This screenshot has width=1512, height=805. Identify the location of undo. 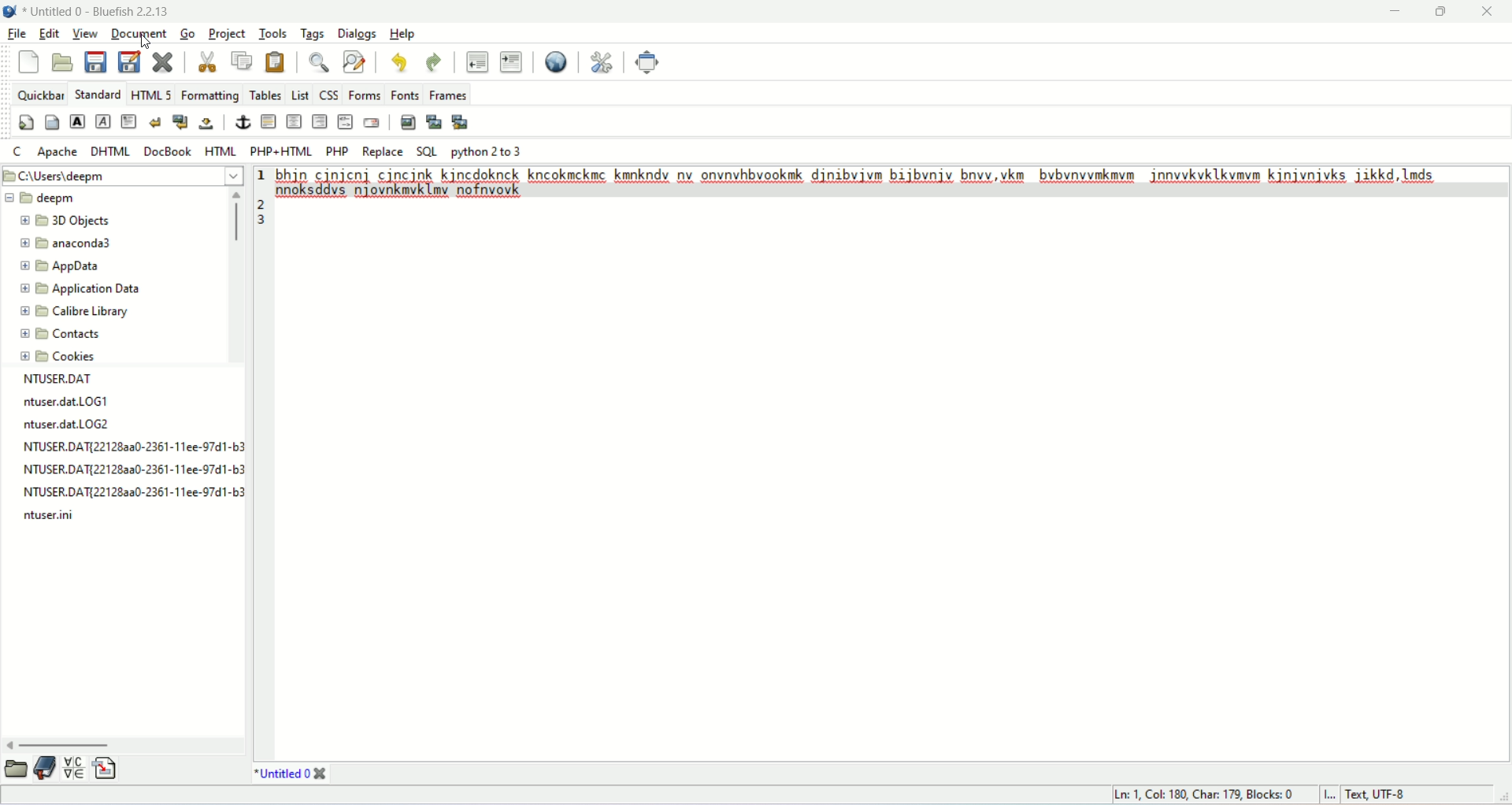
(395, 65).